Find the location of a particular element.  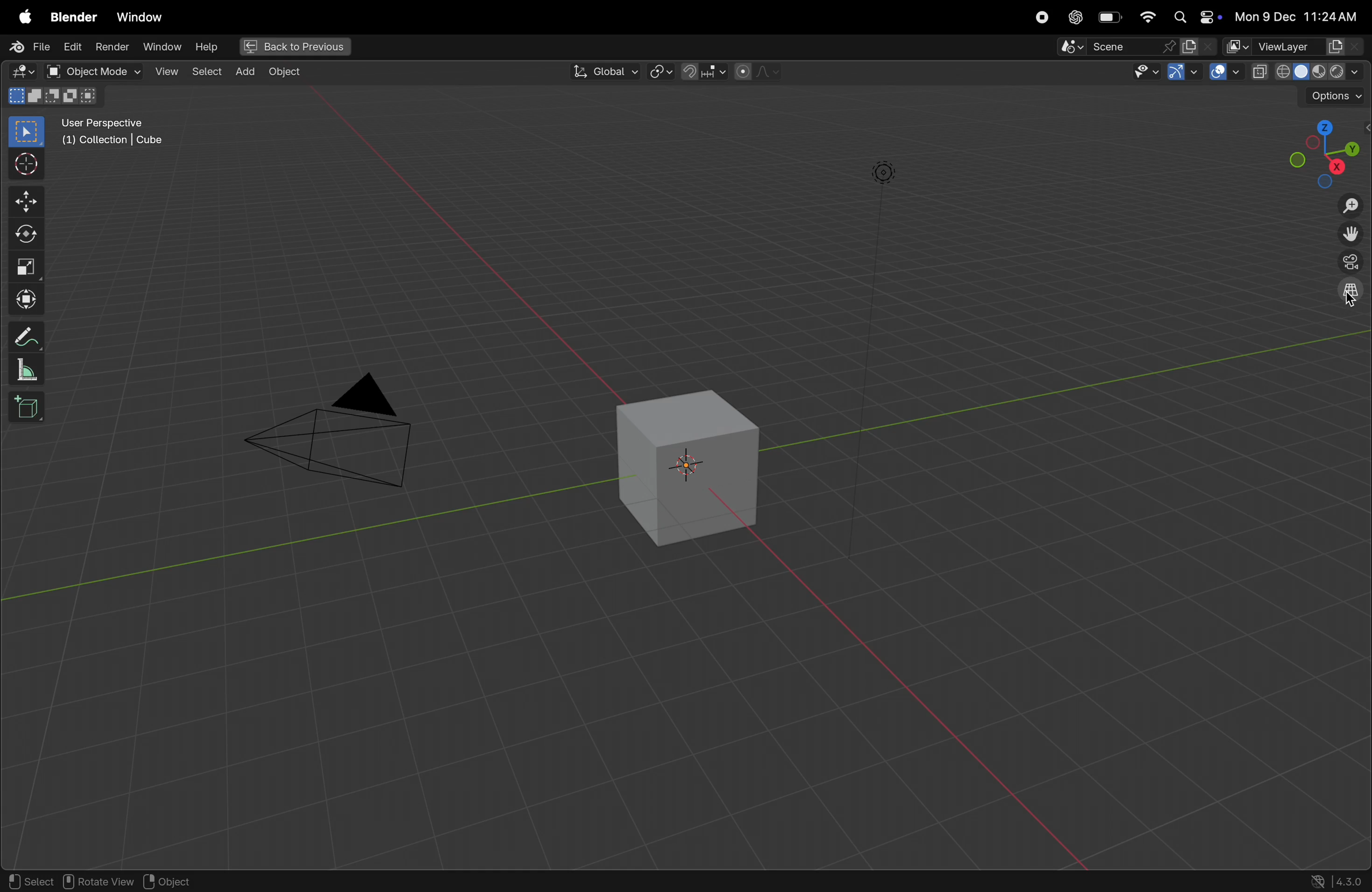

render is located at coordinates (110, 47).